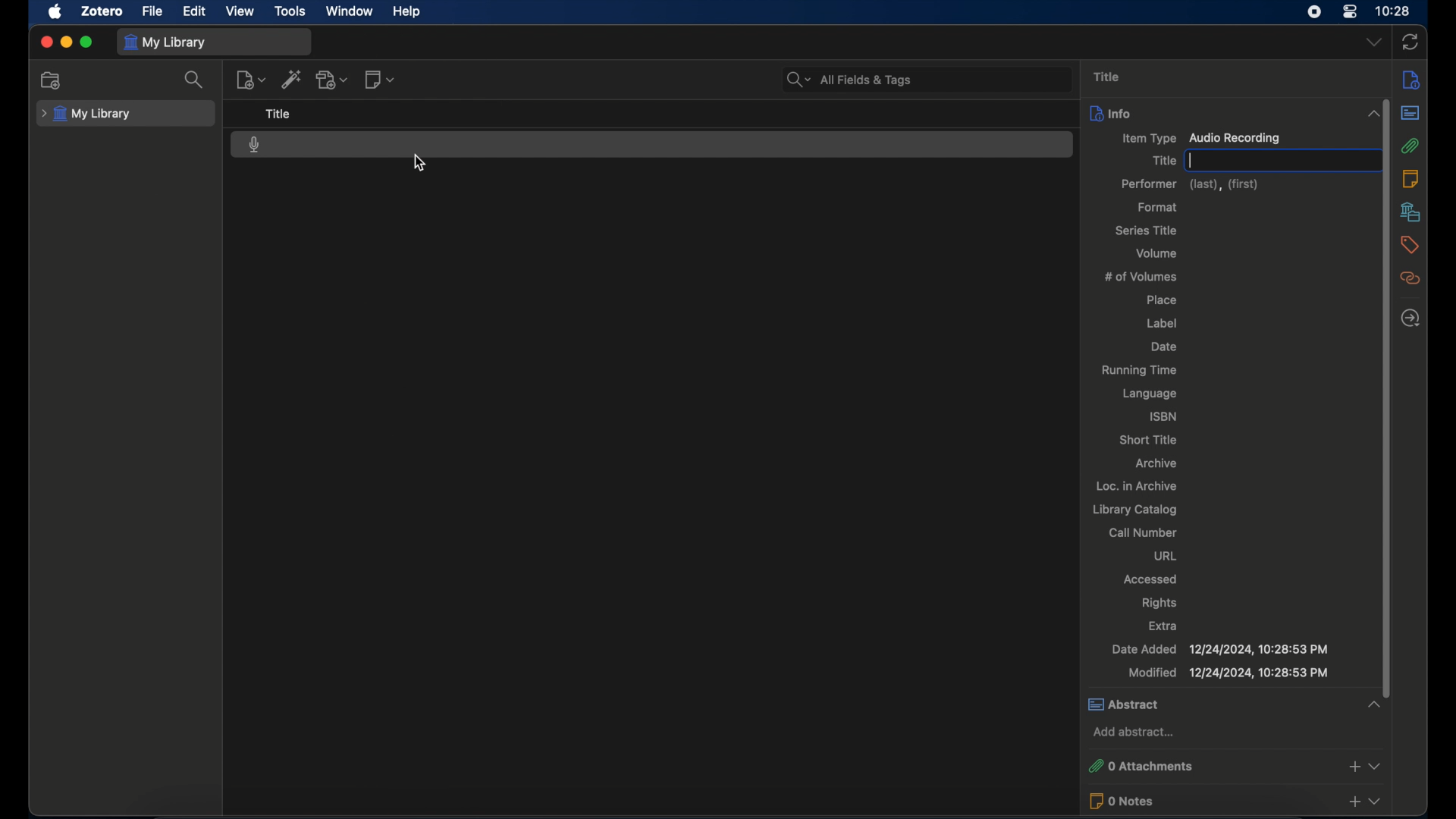 This screenshot has height=819, width=1456. Describe the element at coordinates (250, 80) in the screenshot. I see `new item` at that location.